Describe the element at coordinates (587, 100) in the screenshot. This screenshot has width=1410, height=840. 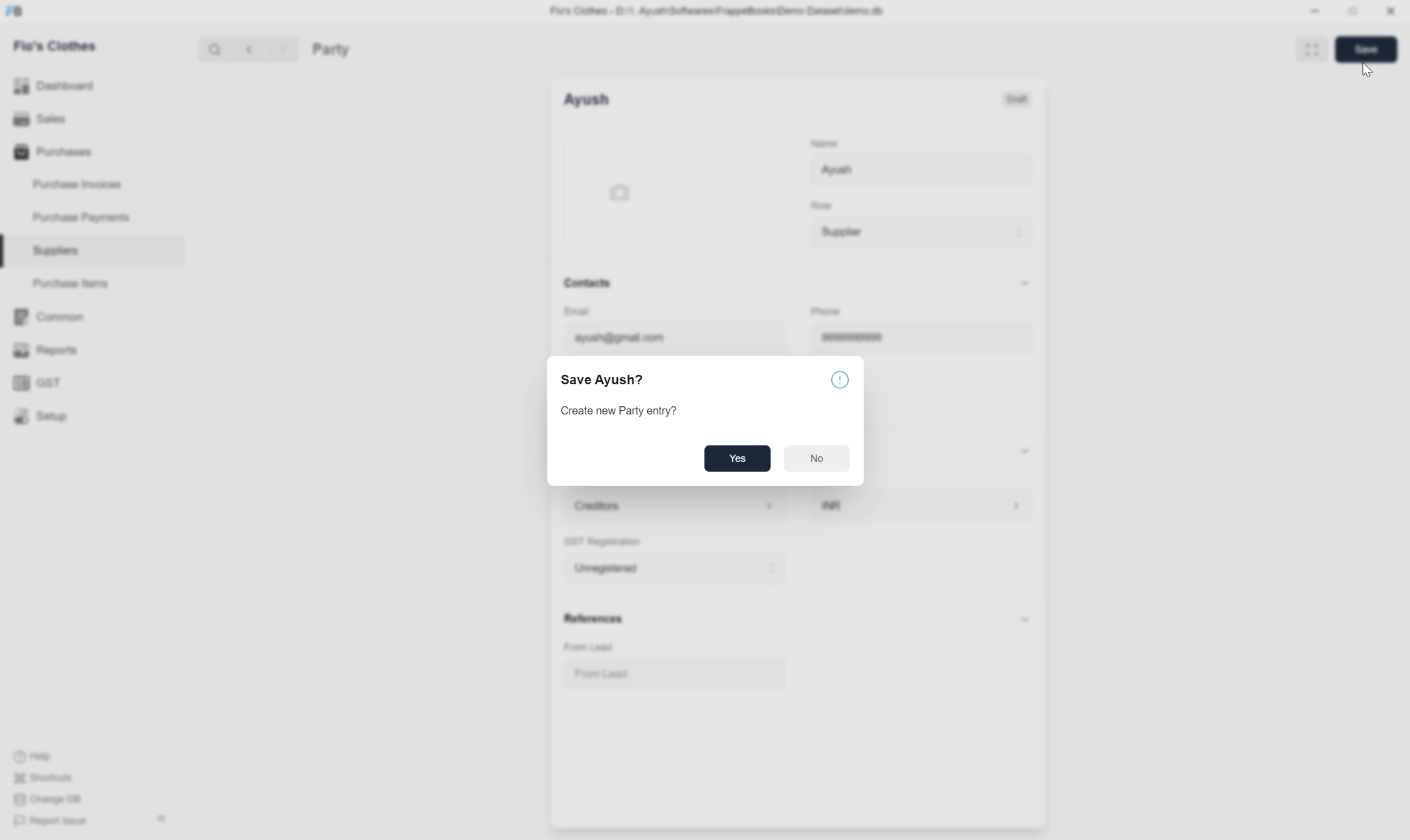
I see `Ayush` at that location.